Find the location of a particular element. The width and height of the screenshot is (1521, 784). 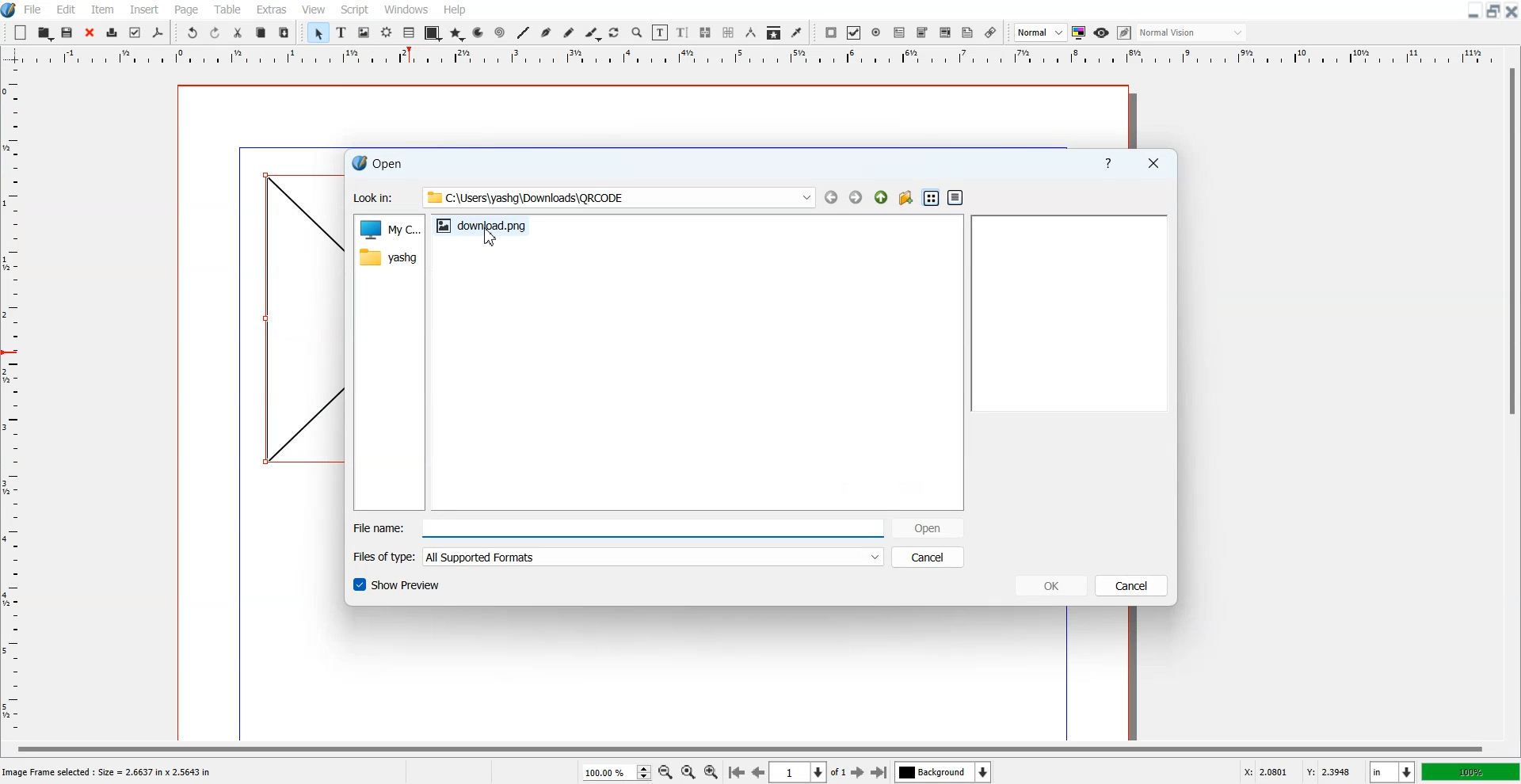

“1 C:\Users\yashg\Downloads\QRCODE is located at coordinates (527, 197).